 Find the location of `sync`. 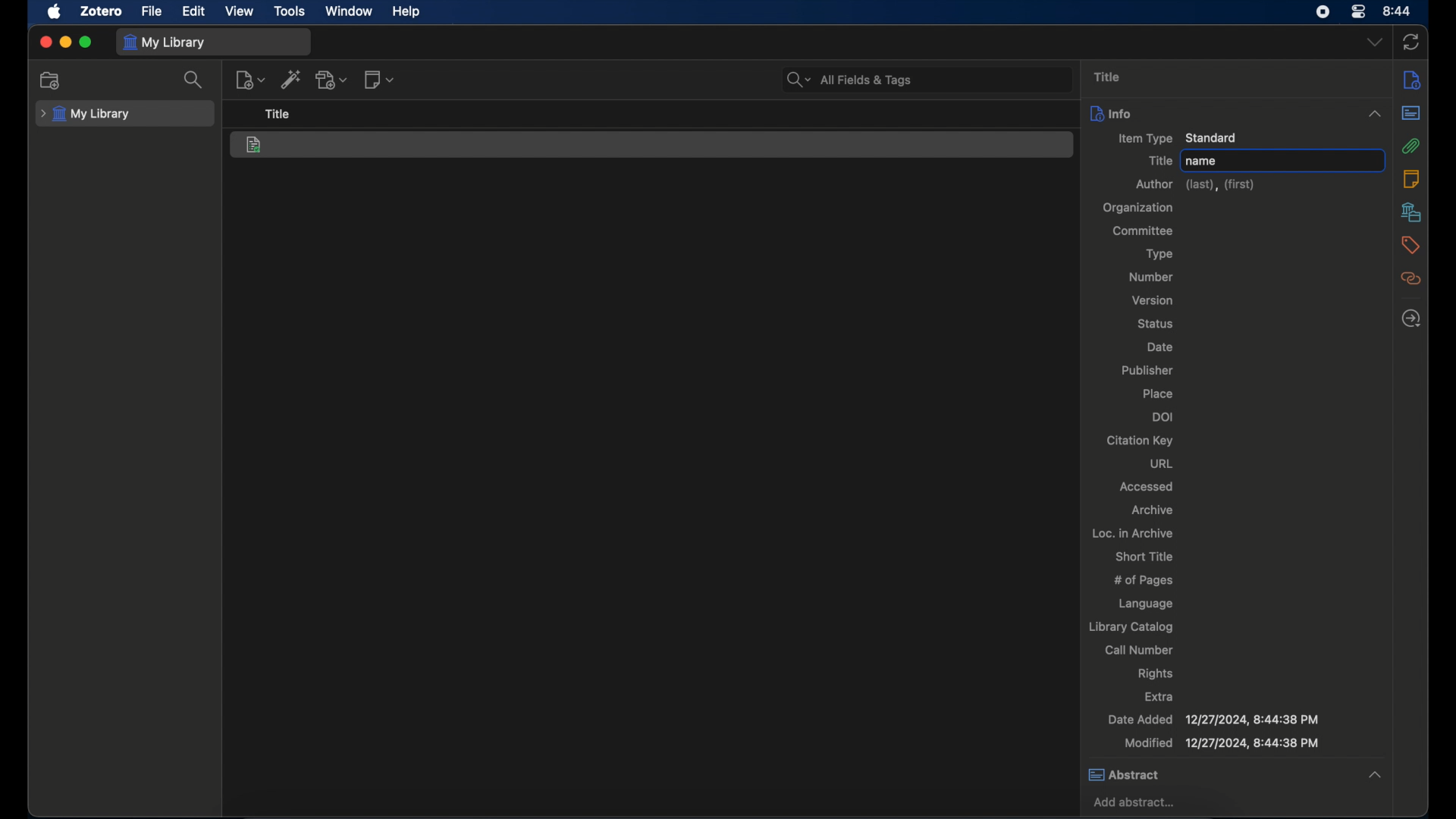

sync is located at coordinates (1414, 41).